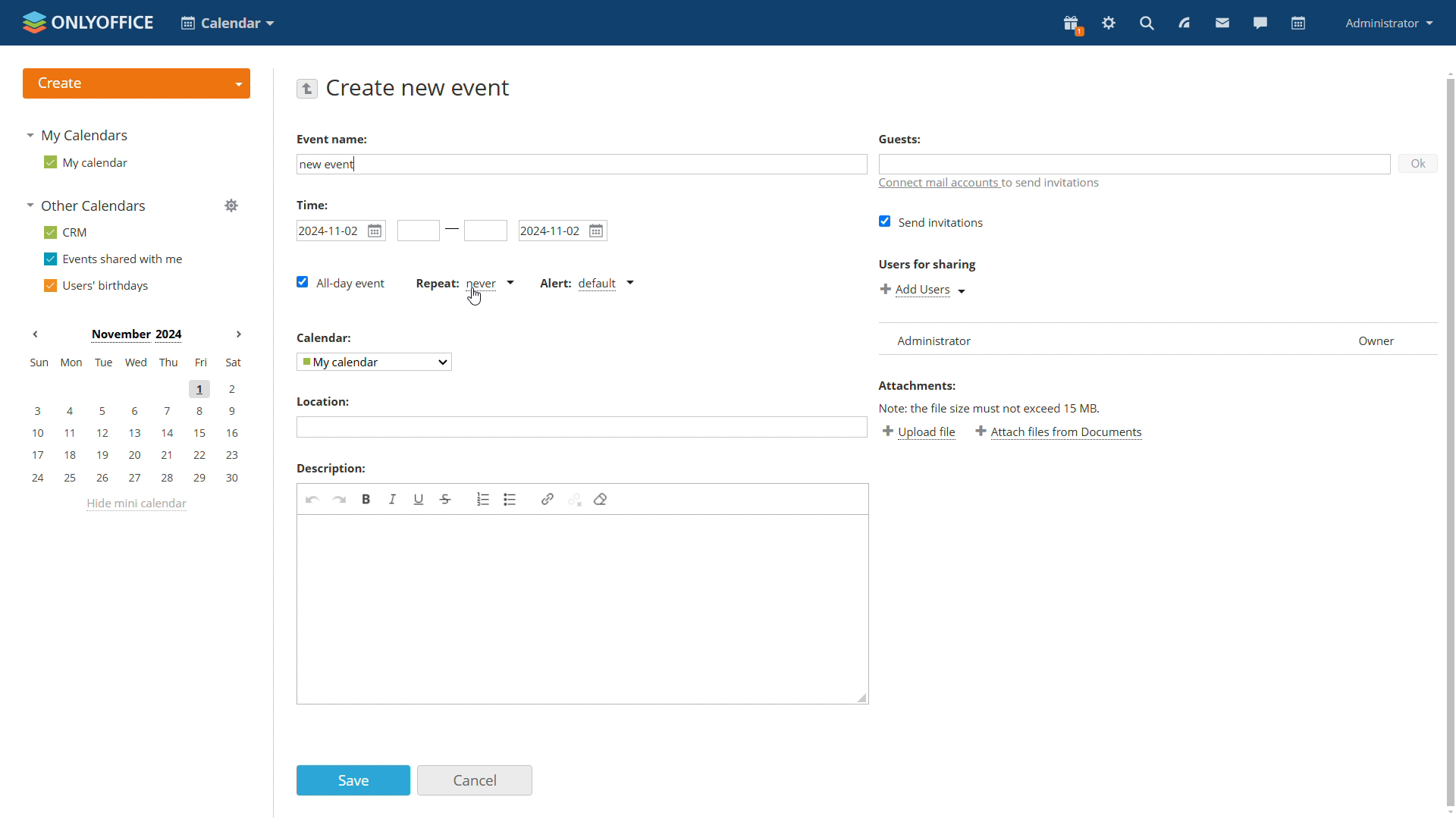 Image resolution: width=1456 pixels, height=819 pixels. Describe the element at coordinates (86, 20) in the screenshot. I see `logo` at that location.